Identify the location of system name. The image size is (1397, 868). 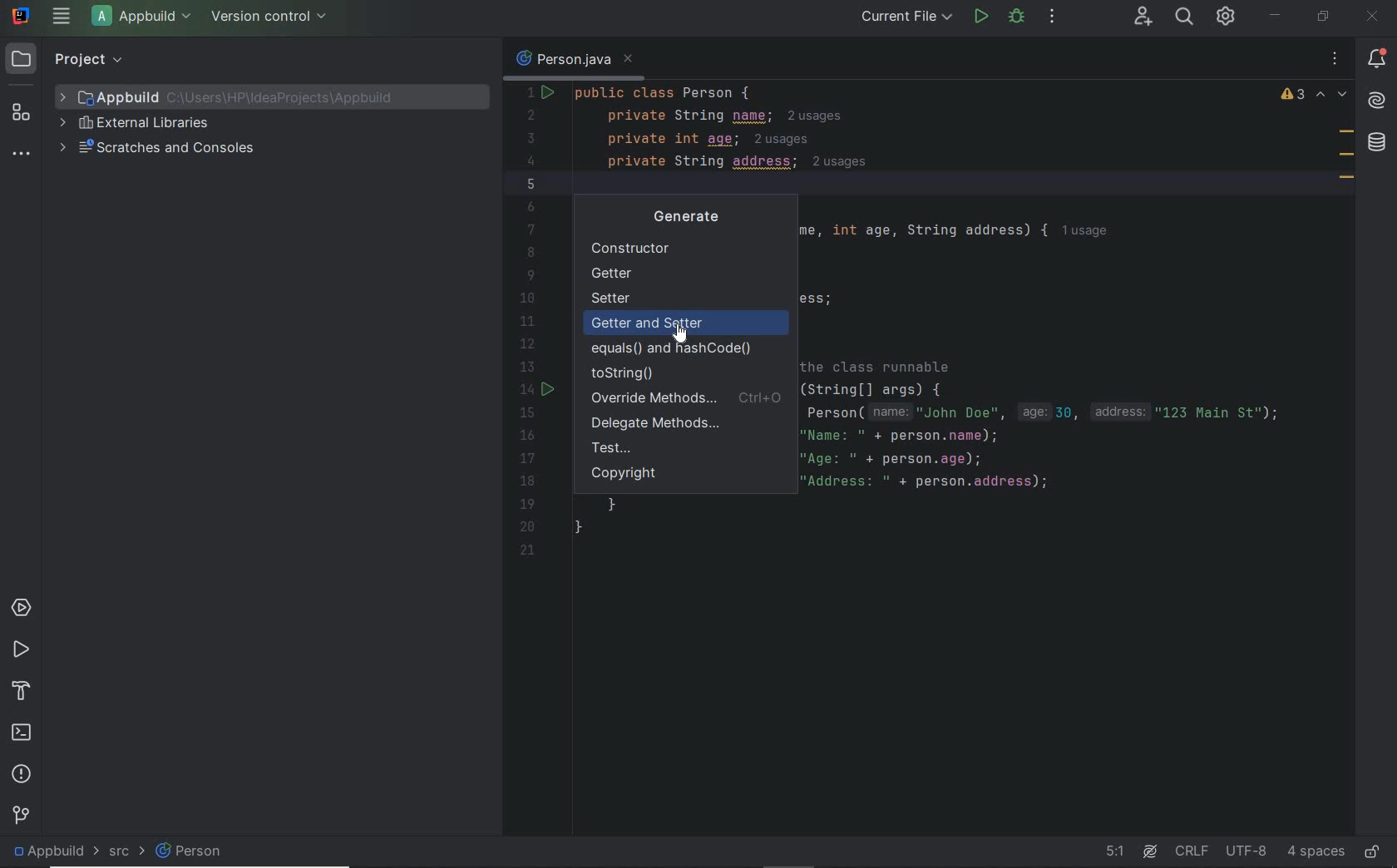
(22, 16).